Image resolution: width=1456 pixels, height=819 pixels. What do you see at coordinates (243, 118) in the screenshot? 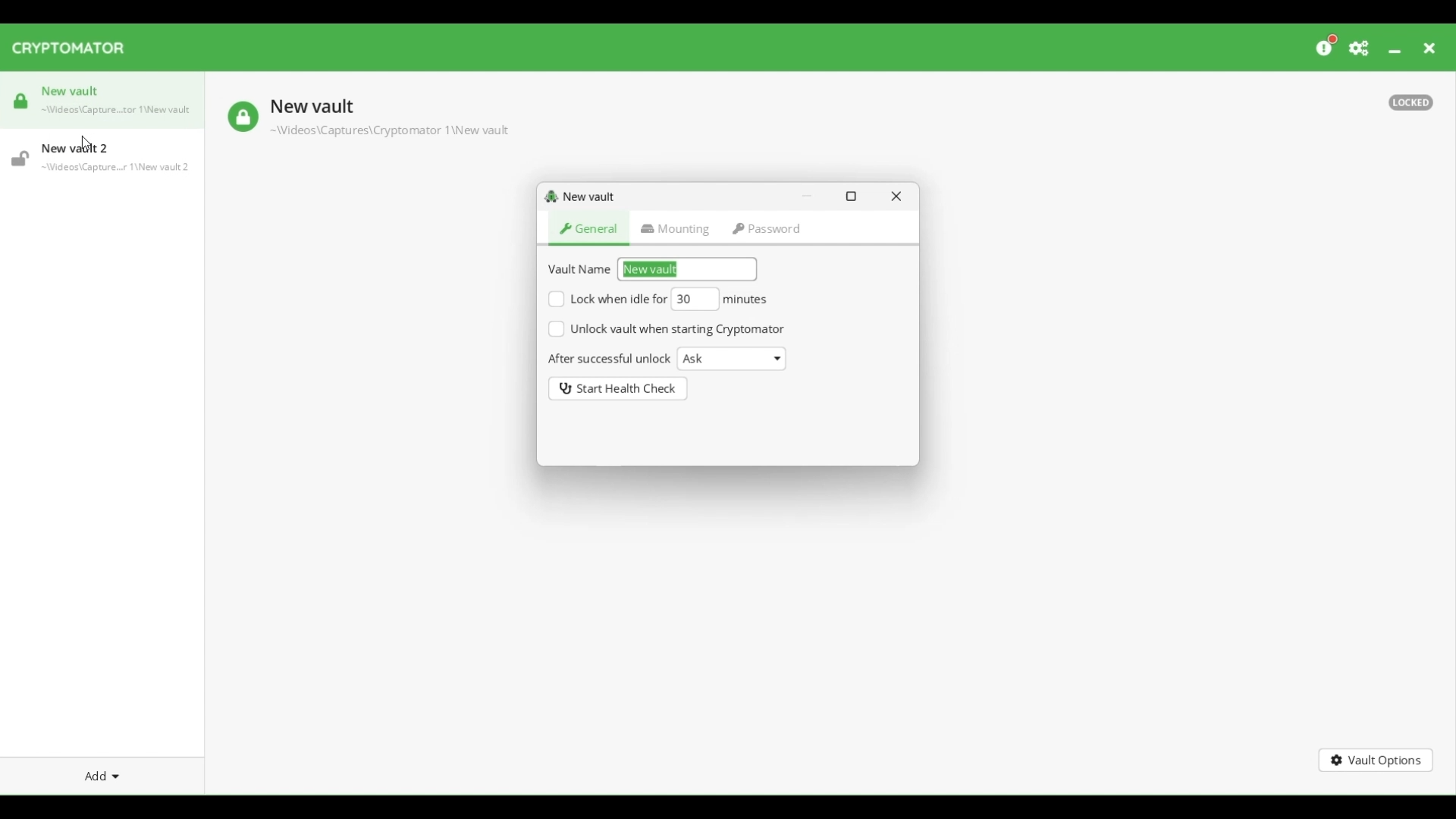
I see `Status of selected vault` at bounding box center [243, 118].